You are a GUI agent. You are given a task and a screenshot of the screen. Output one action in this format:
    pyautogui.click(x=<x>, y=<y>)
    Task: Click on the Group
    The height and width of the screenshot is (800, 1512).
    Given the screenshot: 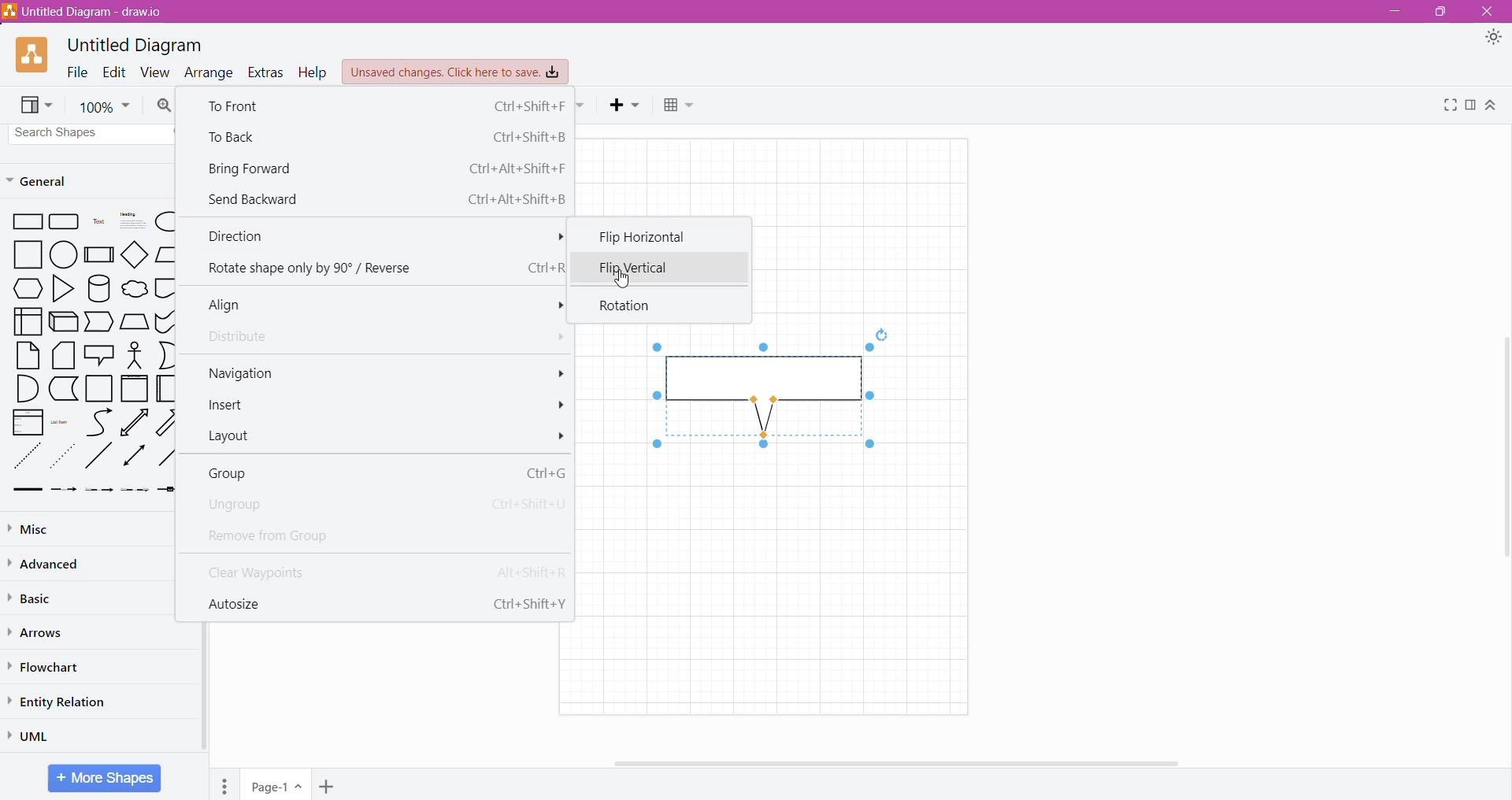 What is the action you would take?
    pyautogui.click(x=383, y=472)
    